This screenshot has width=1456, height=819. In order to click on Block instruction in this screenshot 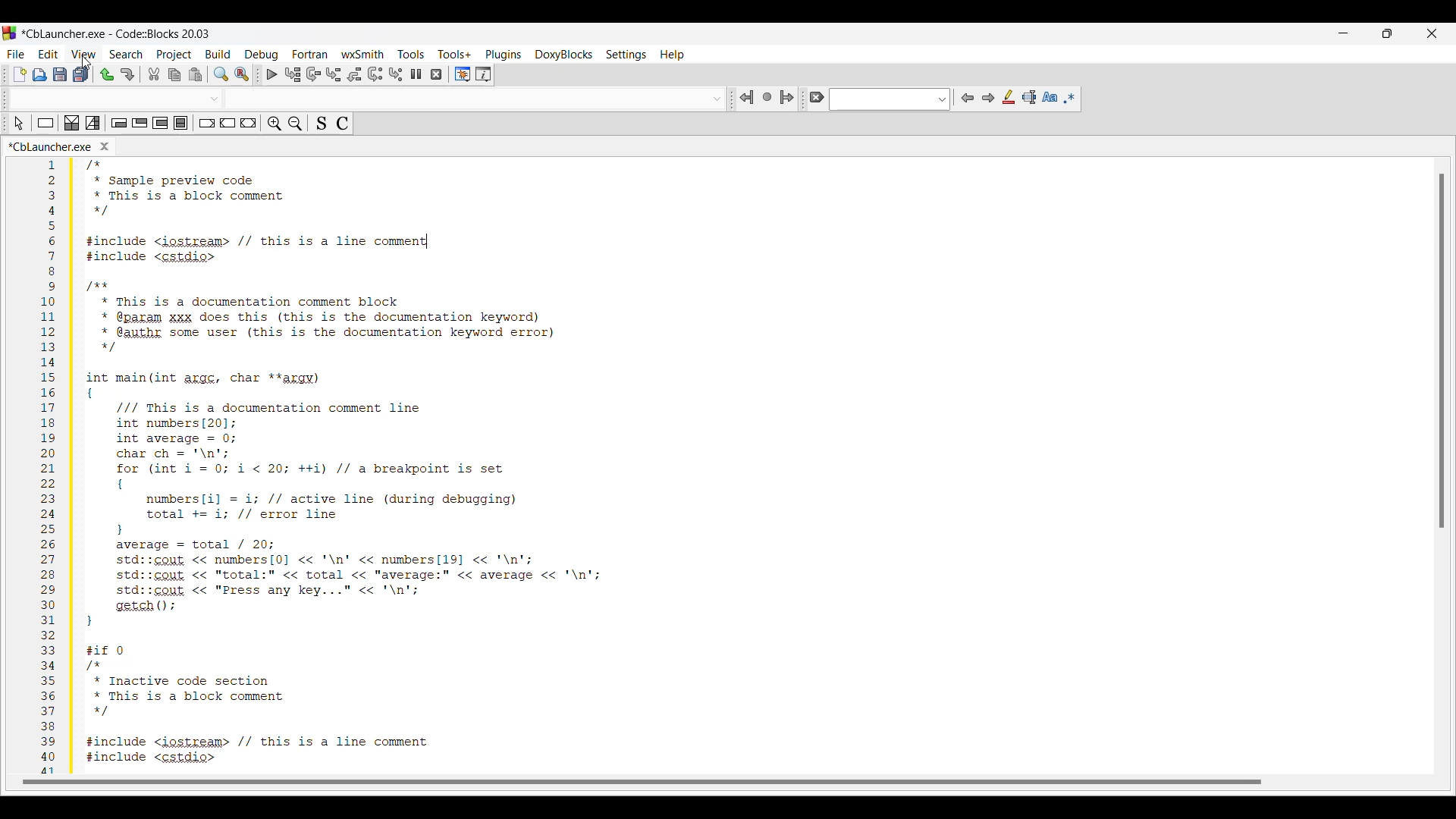, I will do `click(180, 123)`.